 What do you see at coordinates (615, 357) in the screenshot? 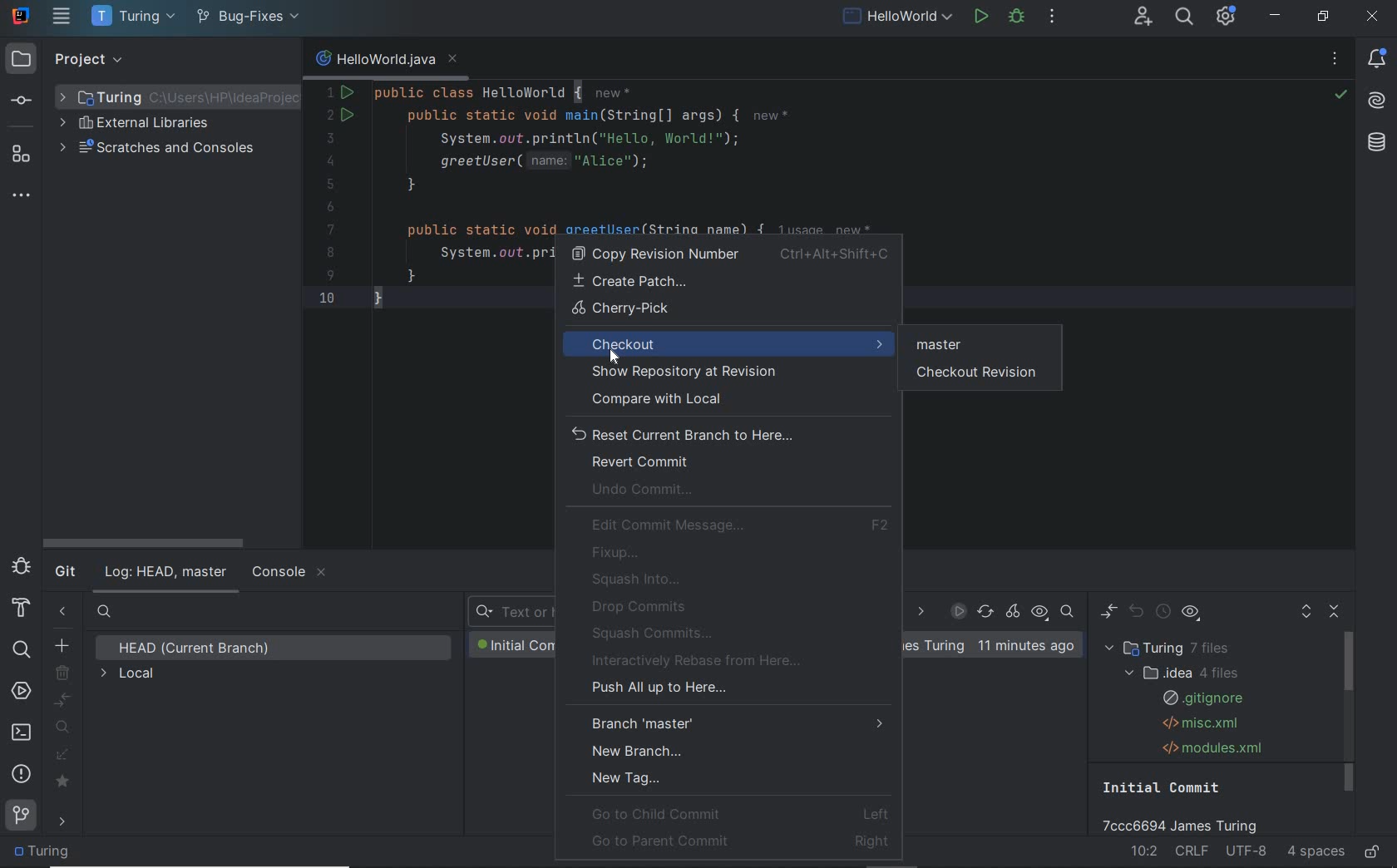
I see `cursor` at bounding box center [615, 357].